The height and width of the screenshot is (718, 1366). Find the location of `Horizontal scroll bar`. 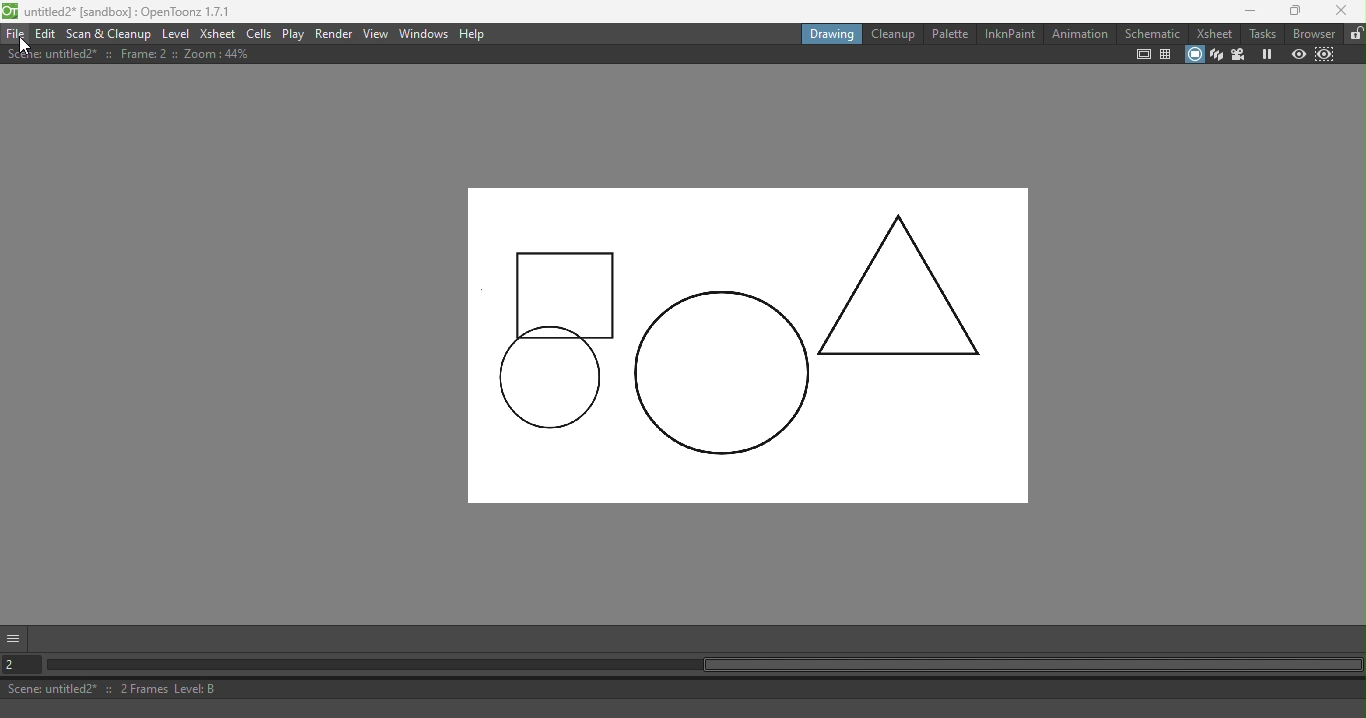

Horizontal scroll bar is located at coordinates (699, 666).